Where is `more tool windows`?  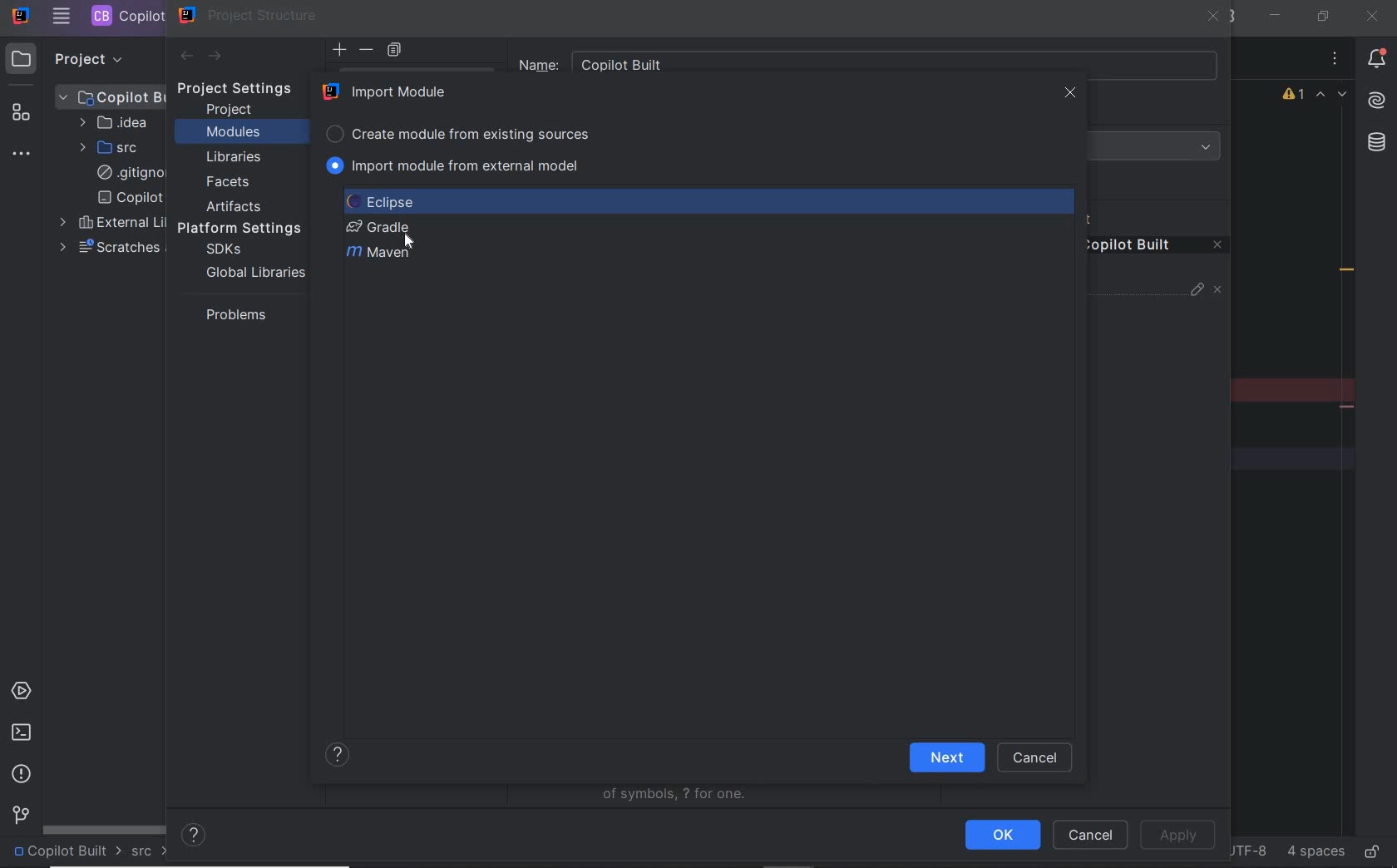
more tool windows is located at coordinates (23, 155).